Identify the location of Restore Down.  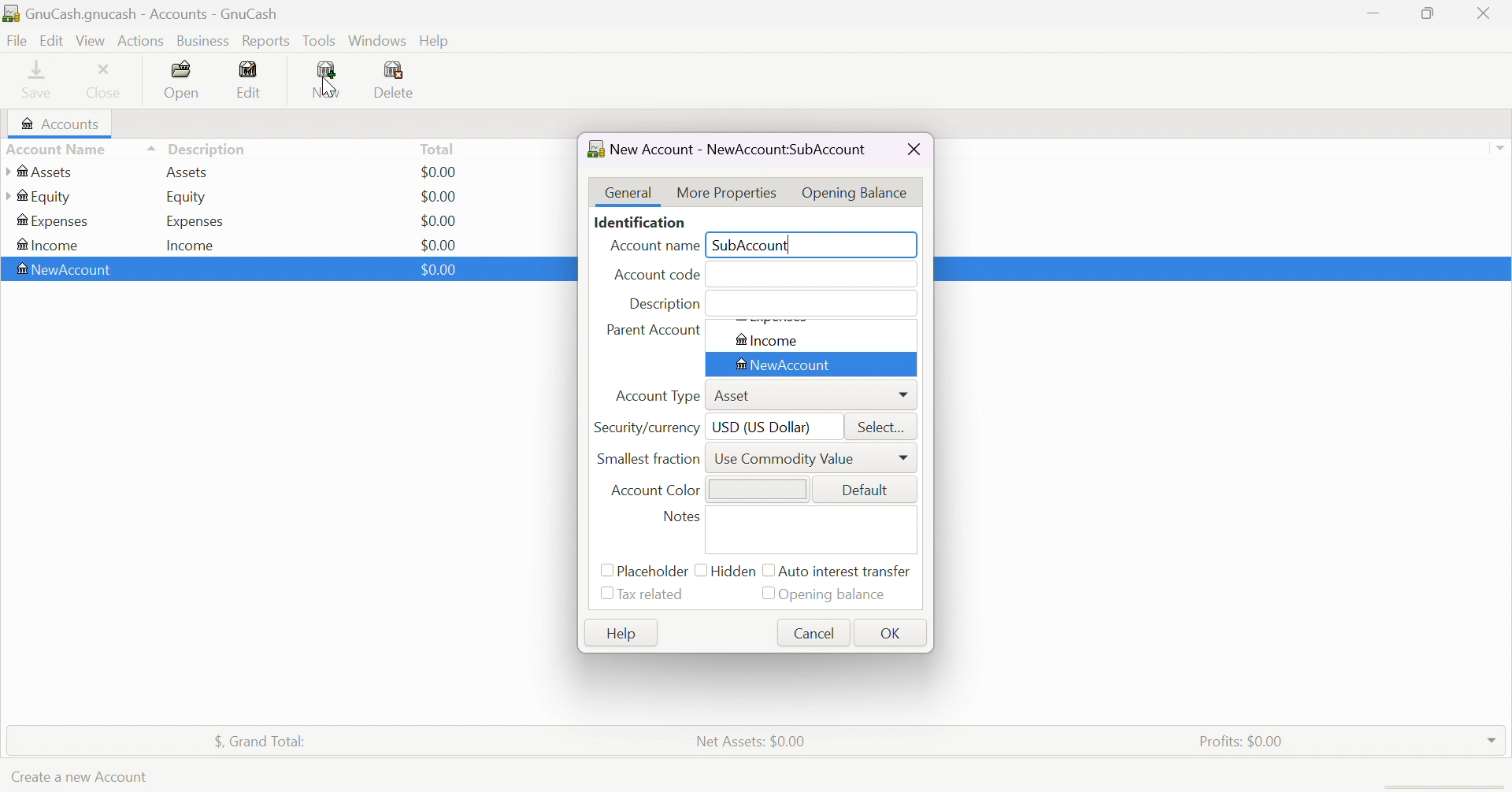
(1425, 13).